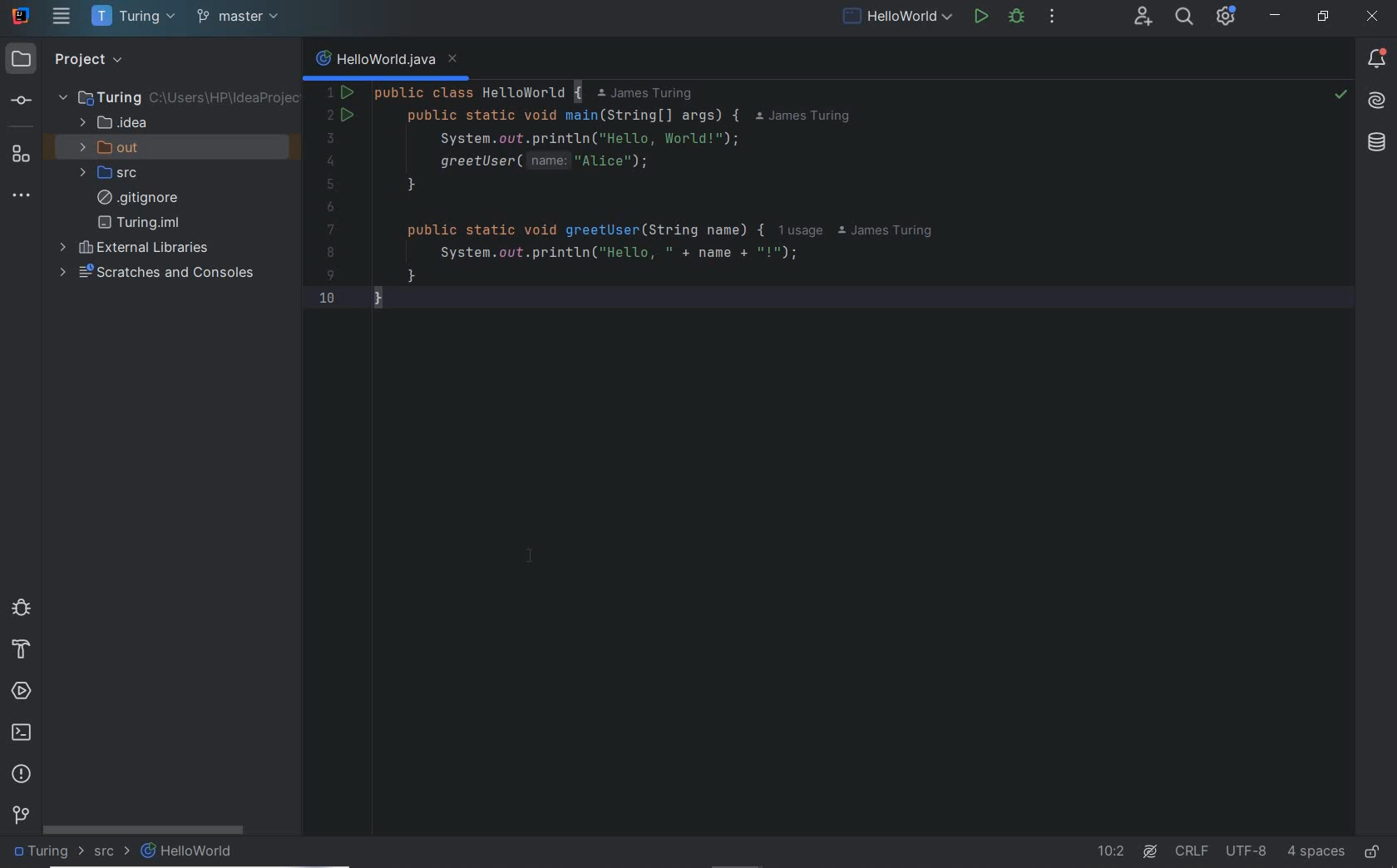 This screenshot has width=1397, height=868. Describe the element at coordinates (1244, 852) in the screenshot. I see `UTF-8(FILE ENCODING)` at that location.